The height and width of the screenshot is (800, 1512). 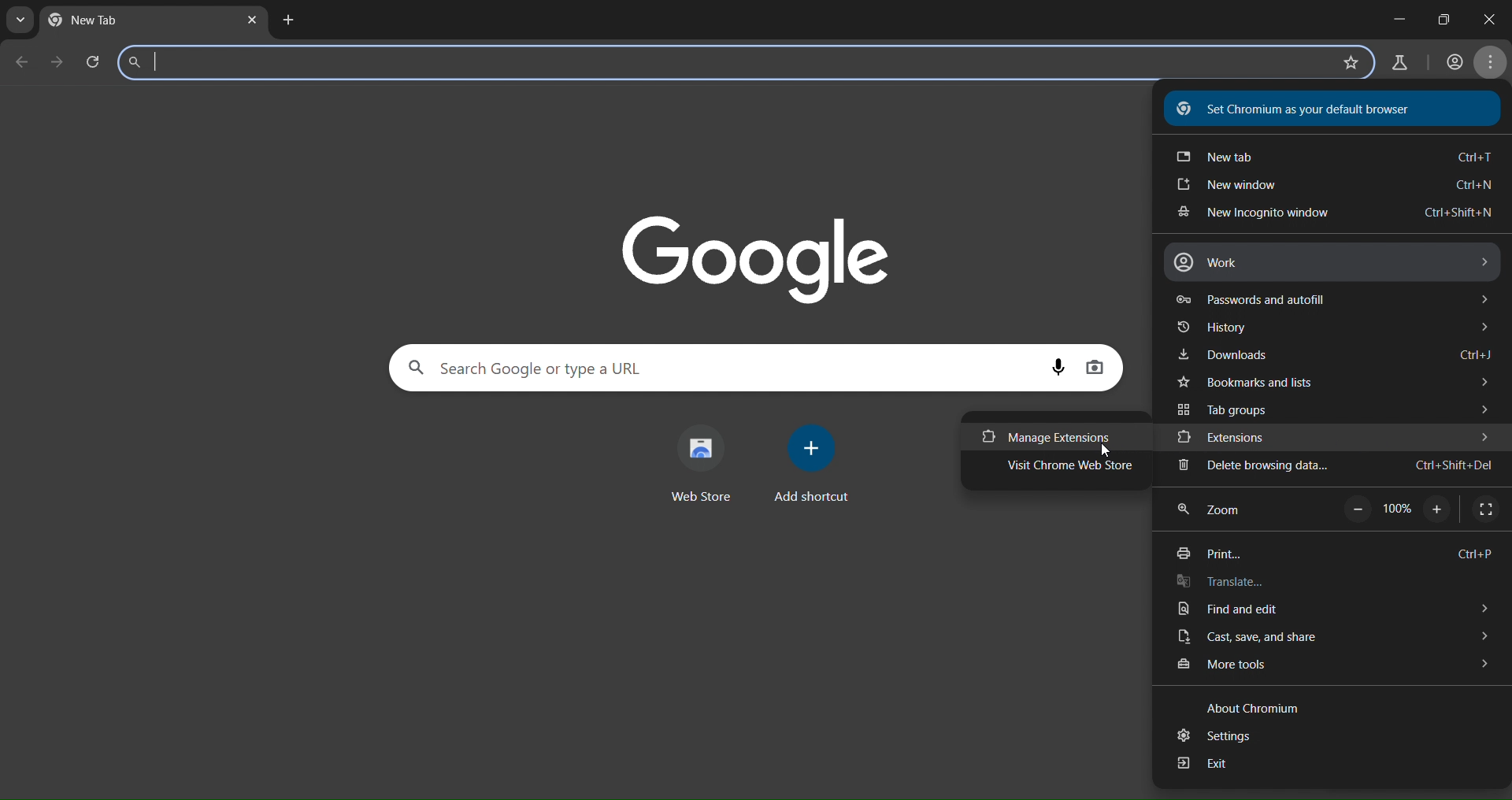 I want to click on search tabs, so click(x=19, y=22).